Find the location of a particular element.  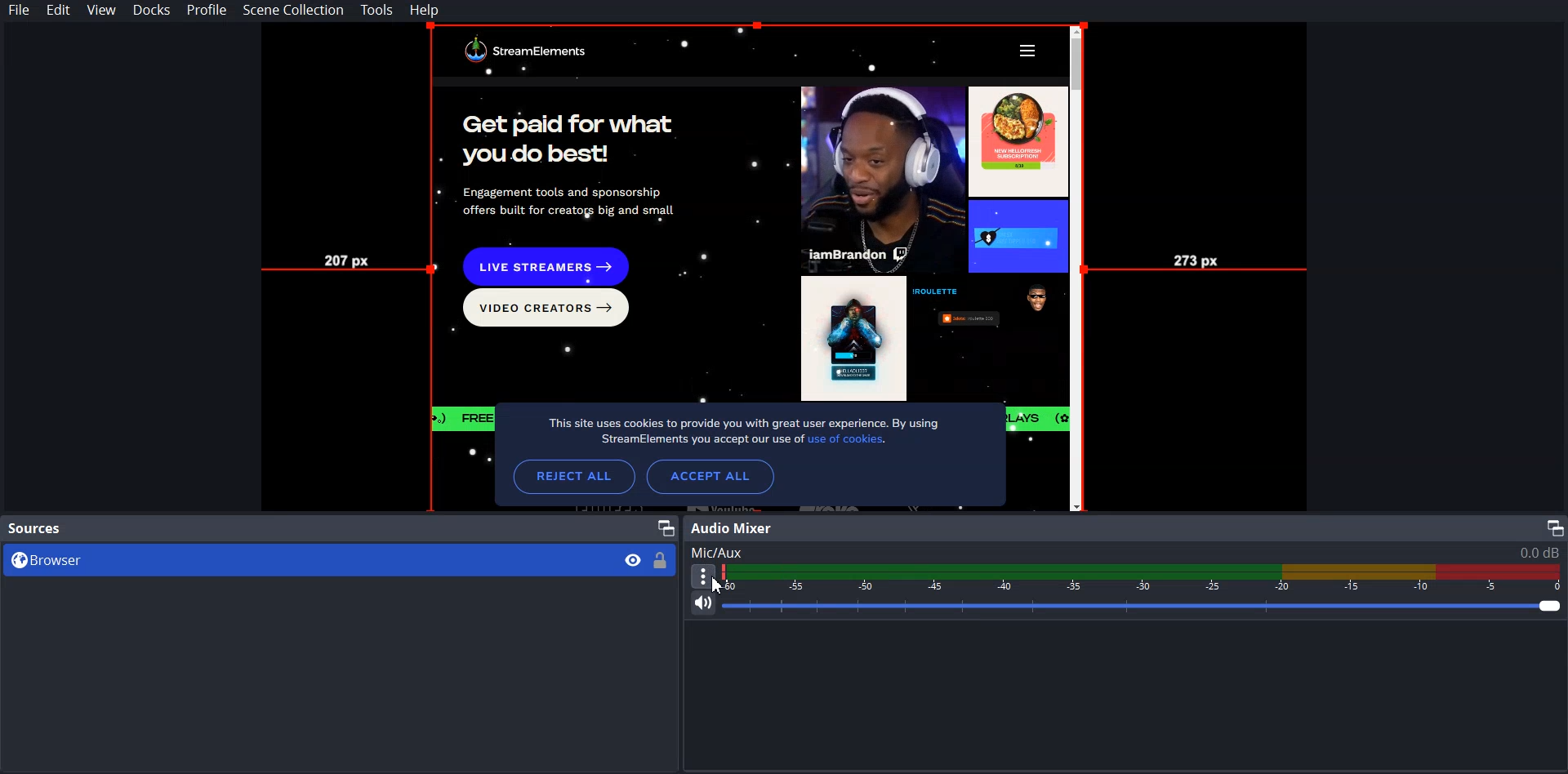

File Preview mode is located at coordinates (786, 267).